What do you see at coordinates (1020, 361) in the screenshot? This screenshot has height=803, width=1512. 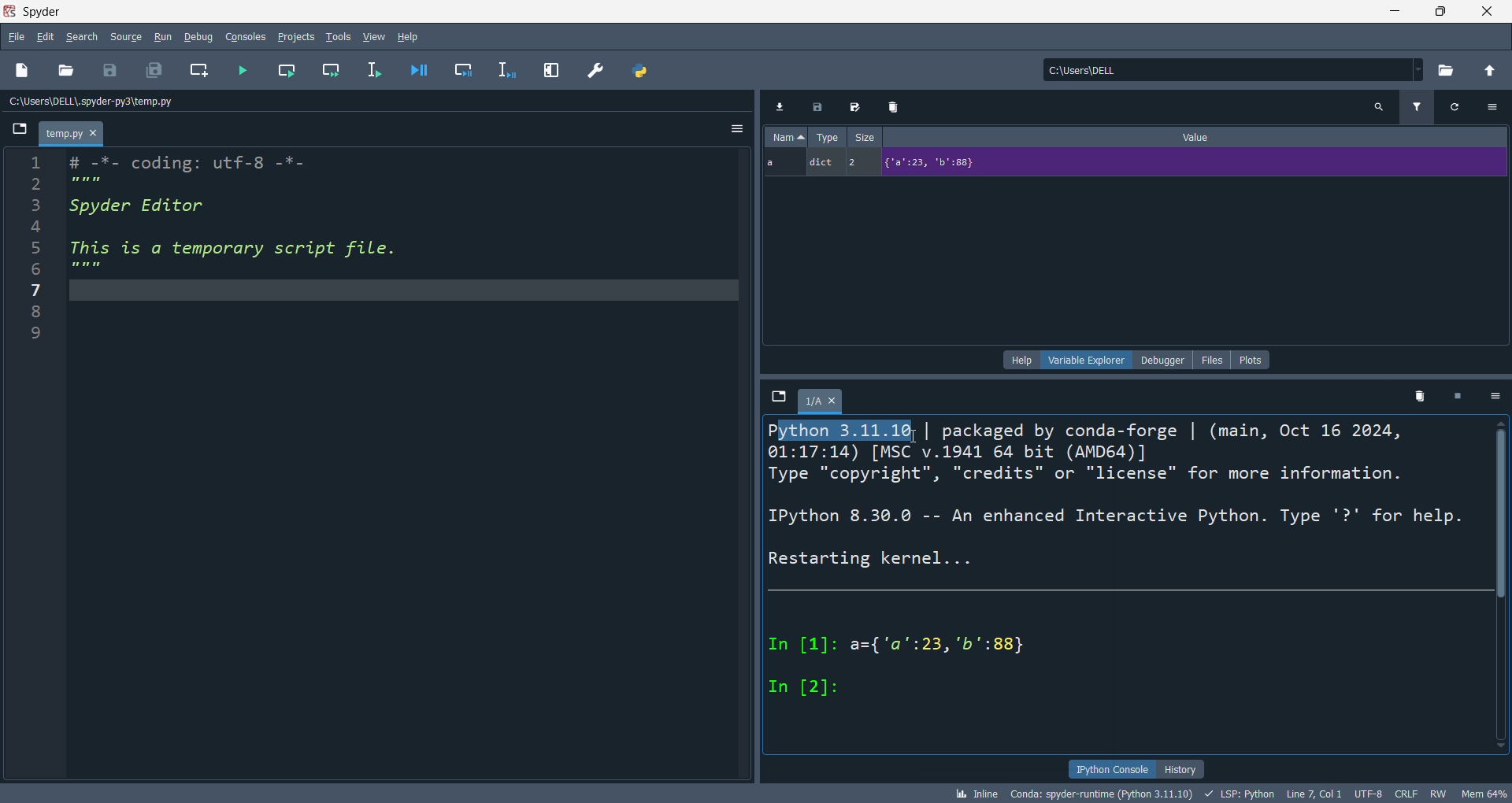 I see `help` at bounding box center [1020, 361].